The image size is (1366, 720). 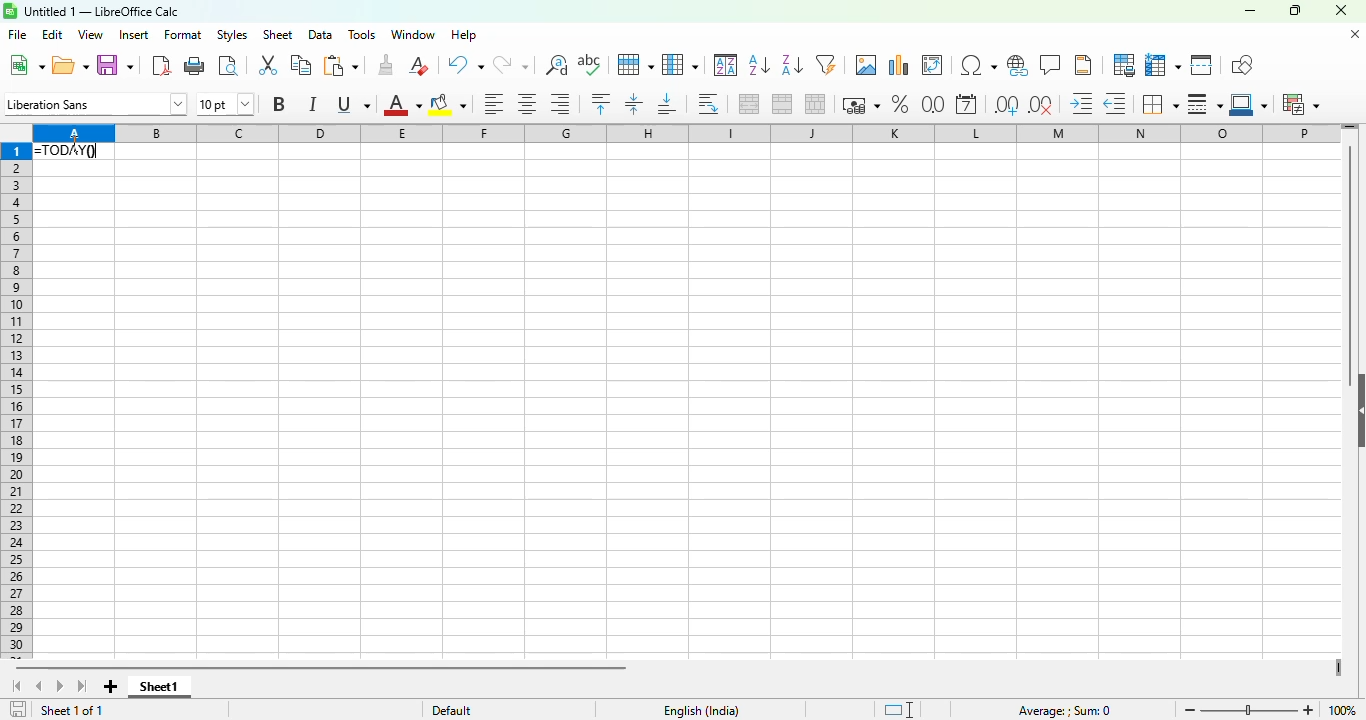 What do you see at coordinates (340, 66) in the screenshot?
I see `paste` at bounding box center [340, 66].